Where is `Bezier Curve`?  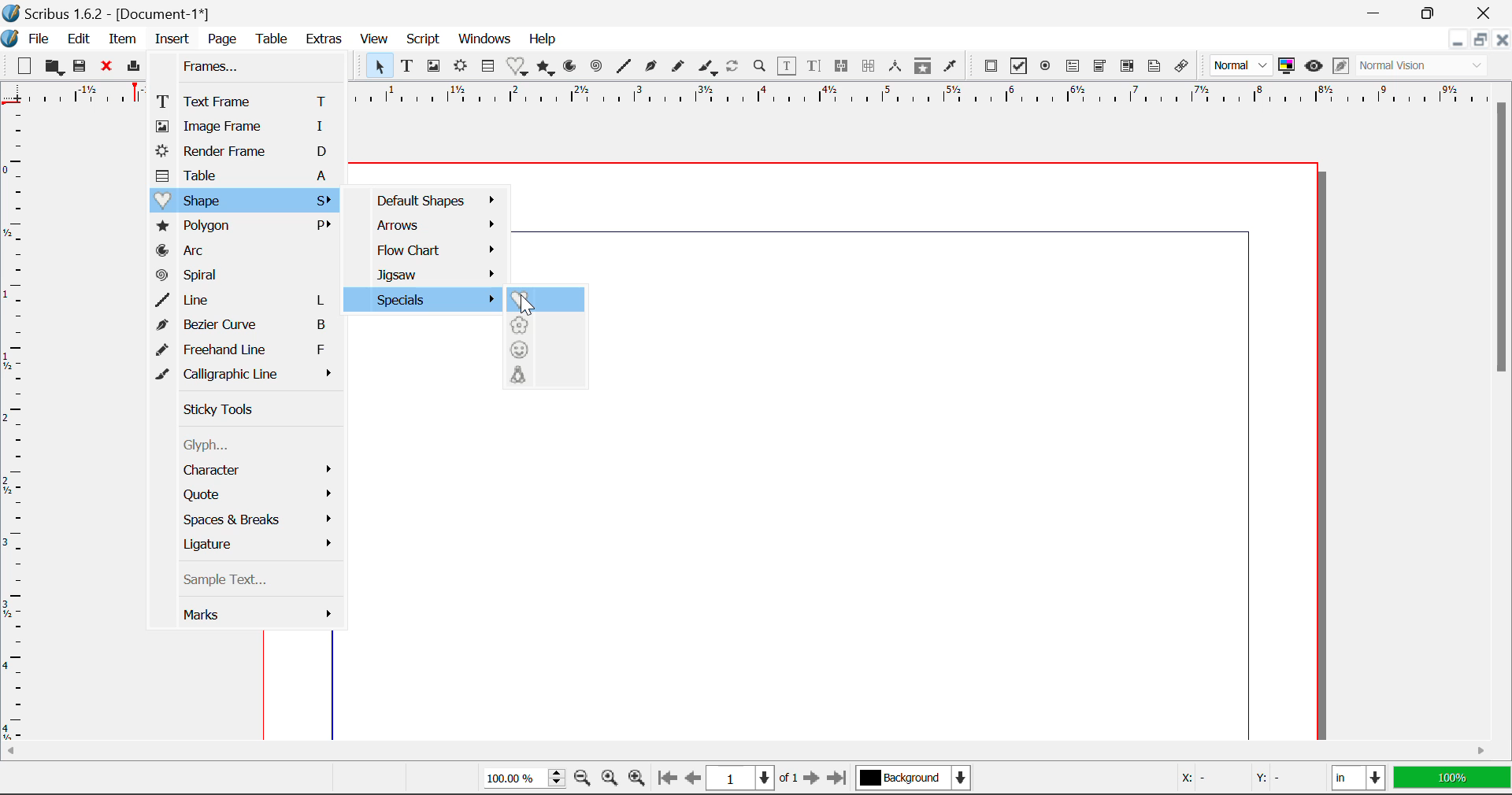
Bezier Curve is located at coordinates (652, 68).